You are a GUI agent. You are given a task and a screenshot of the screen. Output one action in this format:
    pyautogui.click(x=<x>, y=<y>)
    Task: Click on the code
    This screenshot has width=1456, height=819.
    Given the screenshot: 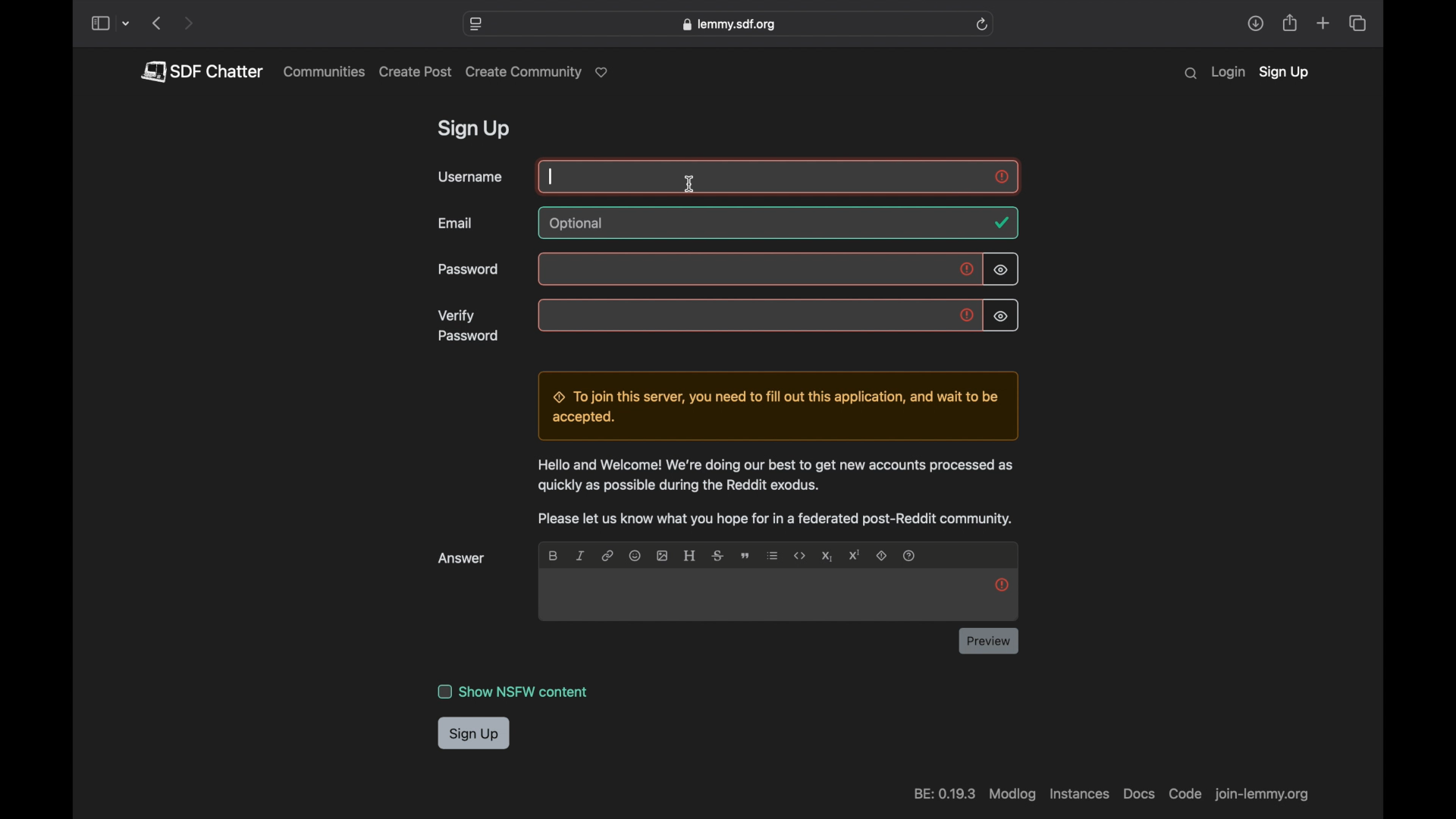 What is the action you would take?
    pyautogui.click(x=1184, y=794)
    